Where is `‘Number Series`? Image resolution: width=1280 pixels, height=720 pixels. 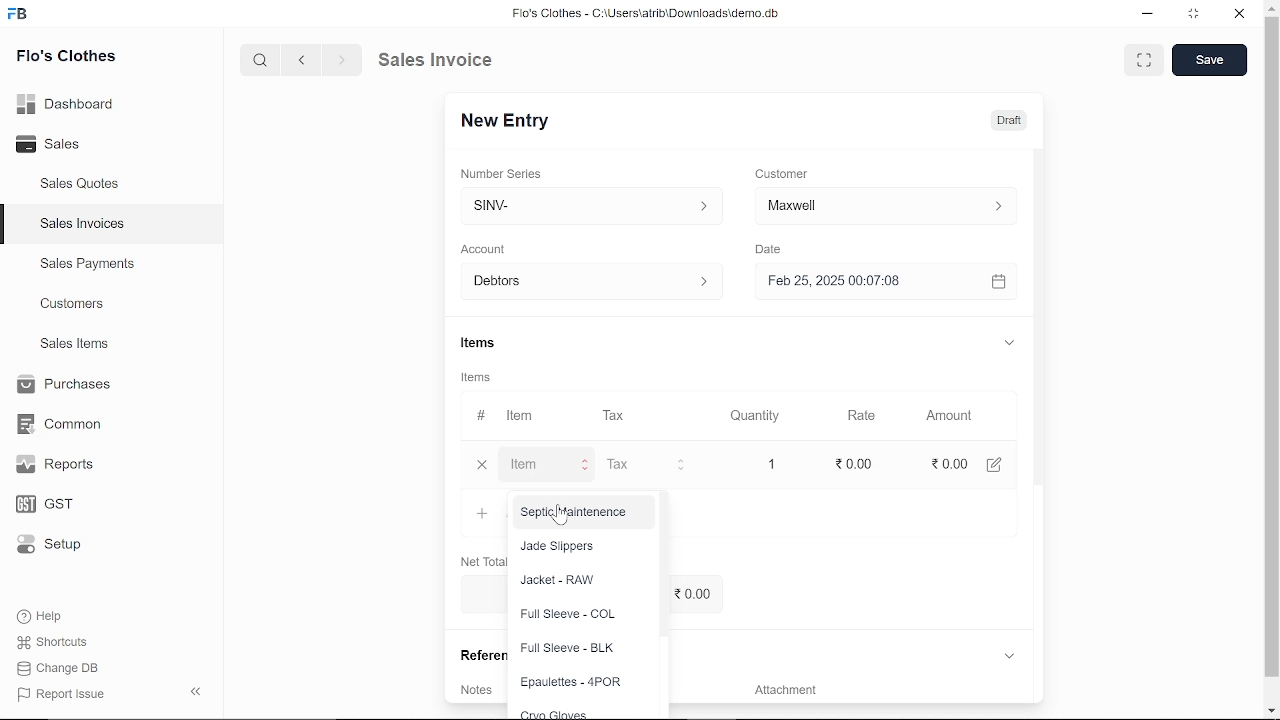
‘Number Series is located at coordinates (510, 173).